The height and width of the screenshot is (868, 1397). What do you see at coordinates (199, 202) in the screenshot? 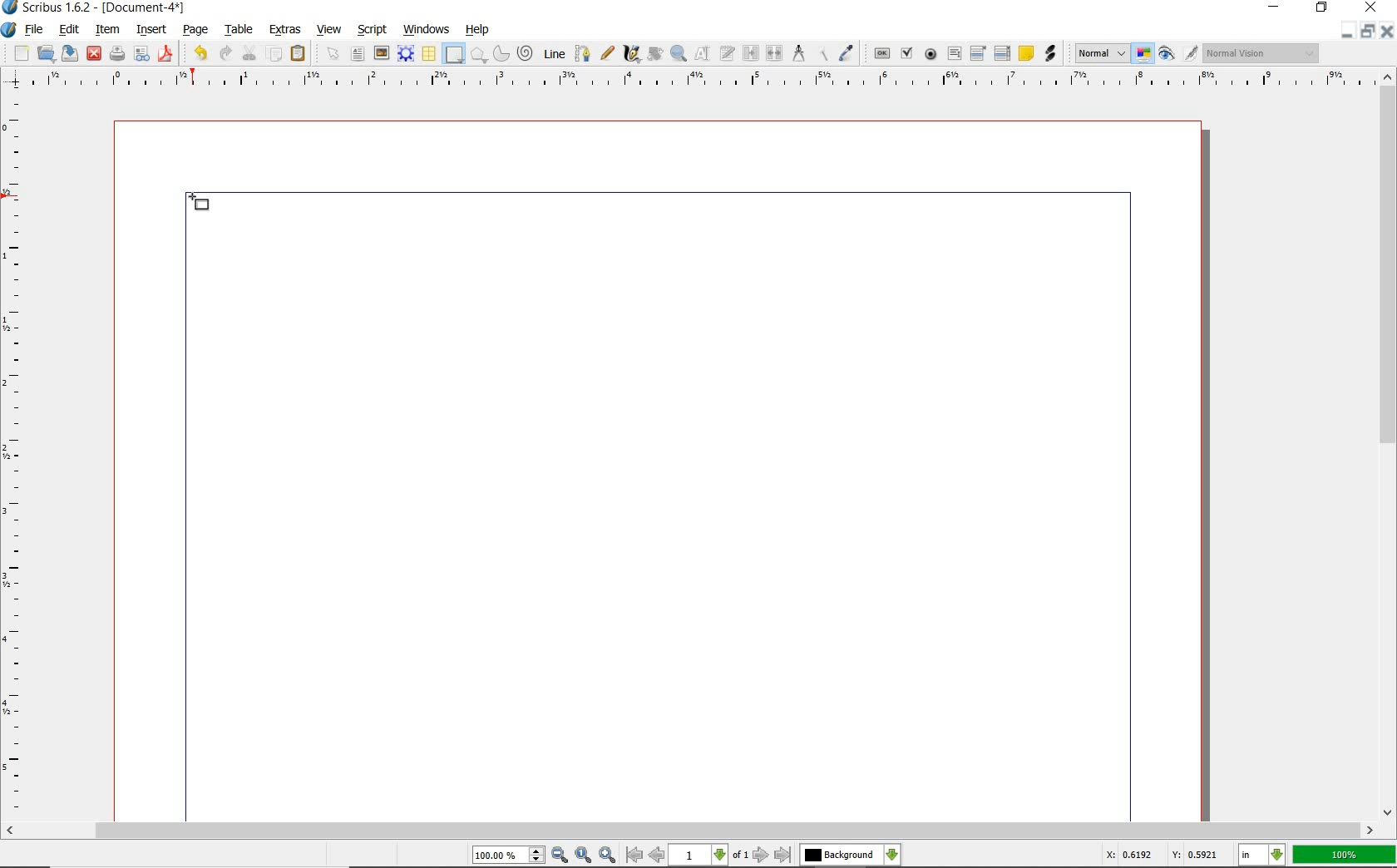
I see `shape tool` at bounding box center [199, 202].